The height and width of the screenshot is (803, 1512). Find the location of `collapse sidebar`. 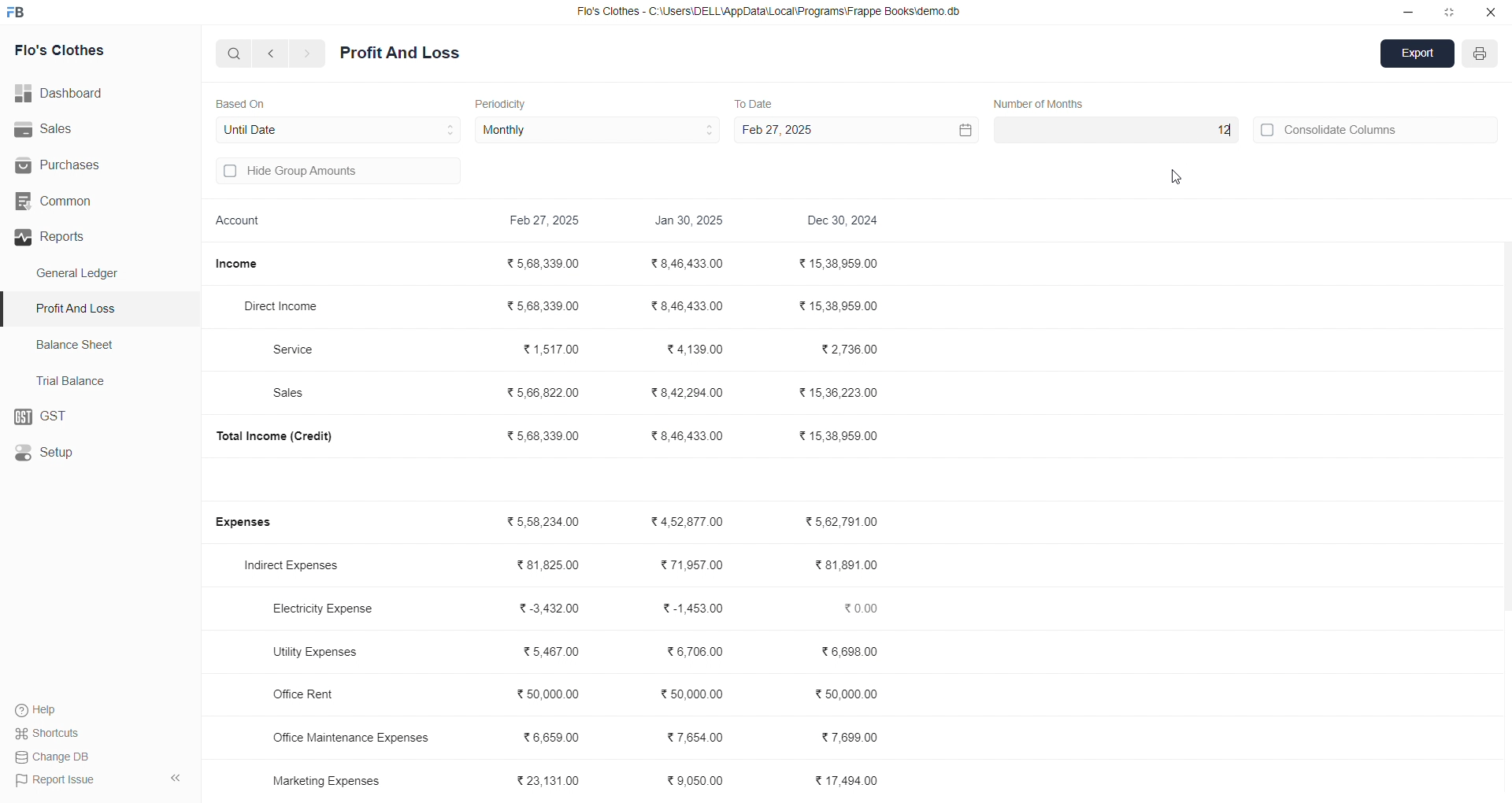

collapse sidebar is located at coordinates (175, 779).